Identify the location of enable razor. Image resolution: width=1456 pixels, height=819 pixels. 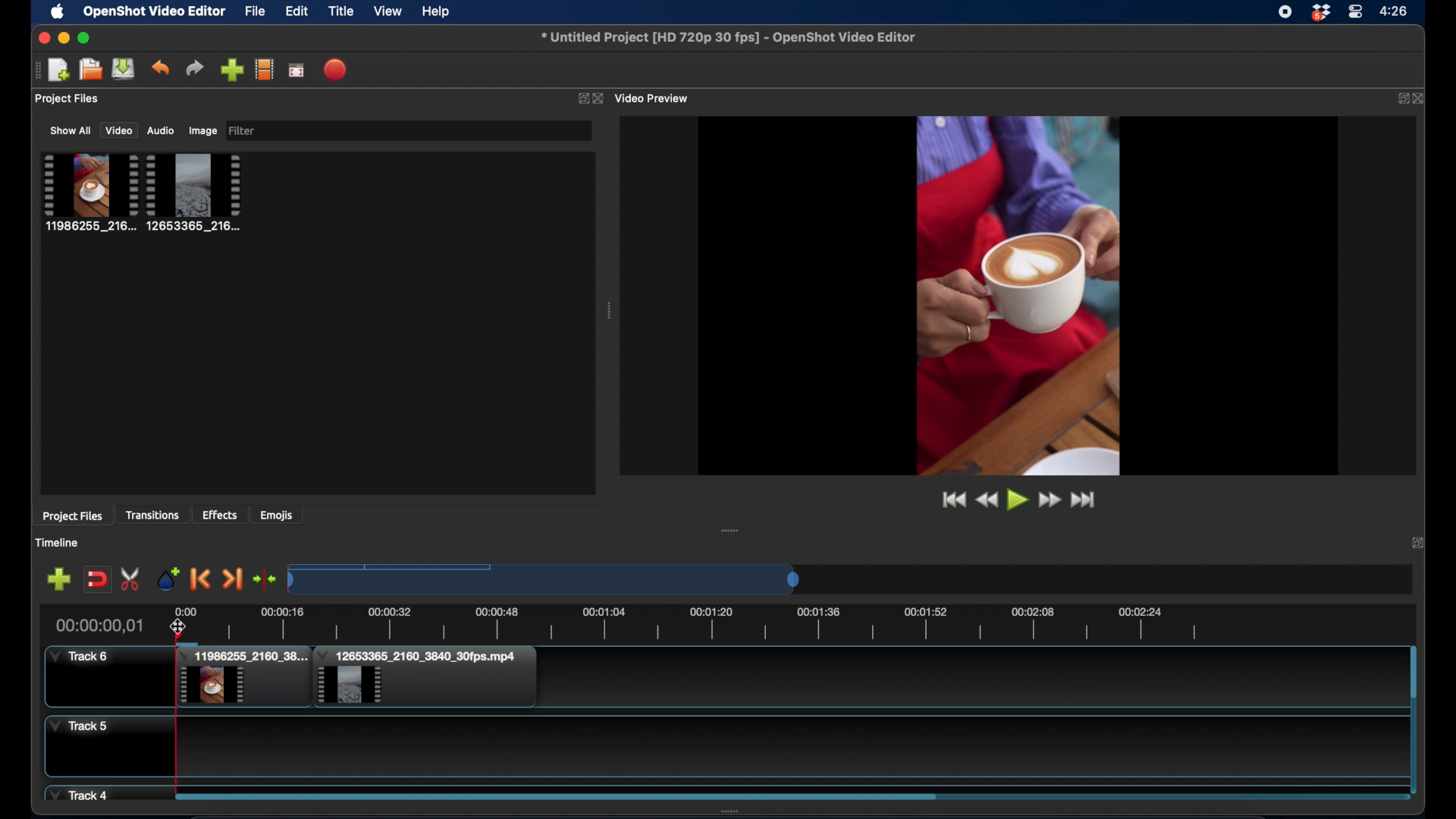
(132, 579).